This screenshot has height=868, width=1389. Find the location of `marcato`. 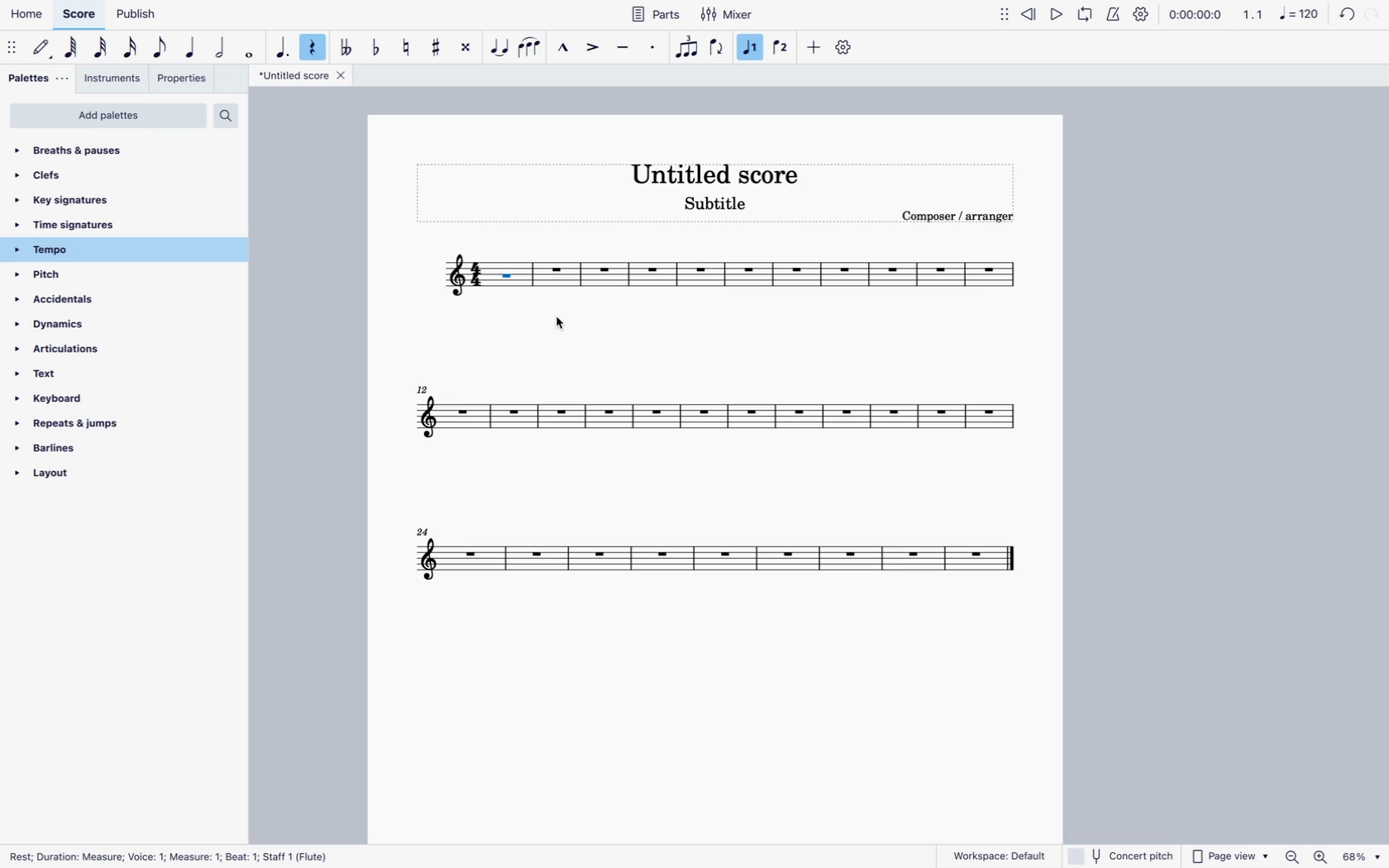

marcato is located at coordinates (562, 50).